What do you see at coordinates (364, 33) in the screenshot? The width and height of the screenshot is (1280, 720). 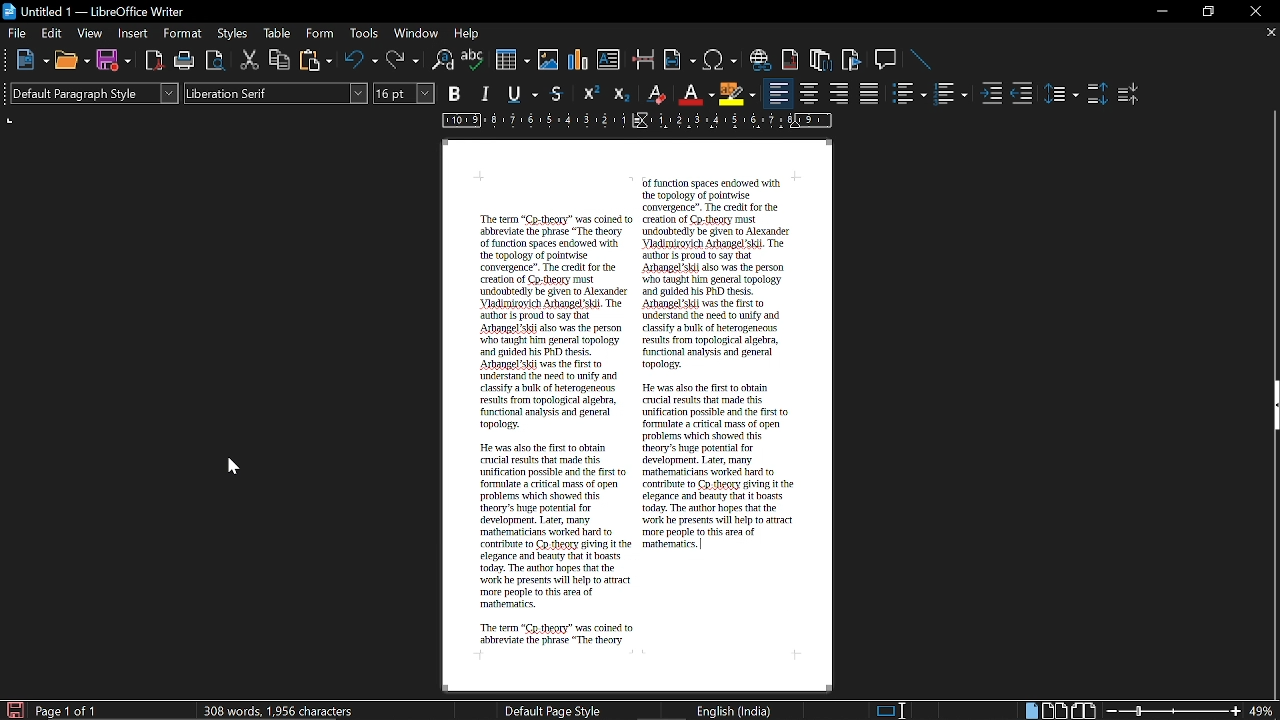 I see `Tools` at bounding box center [364, 33].